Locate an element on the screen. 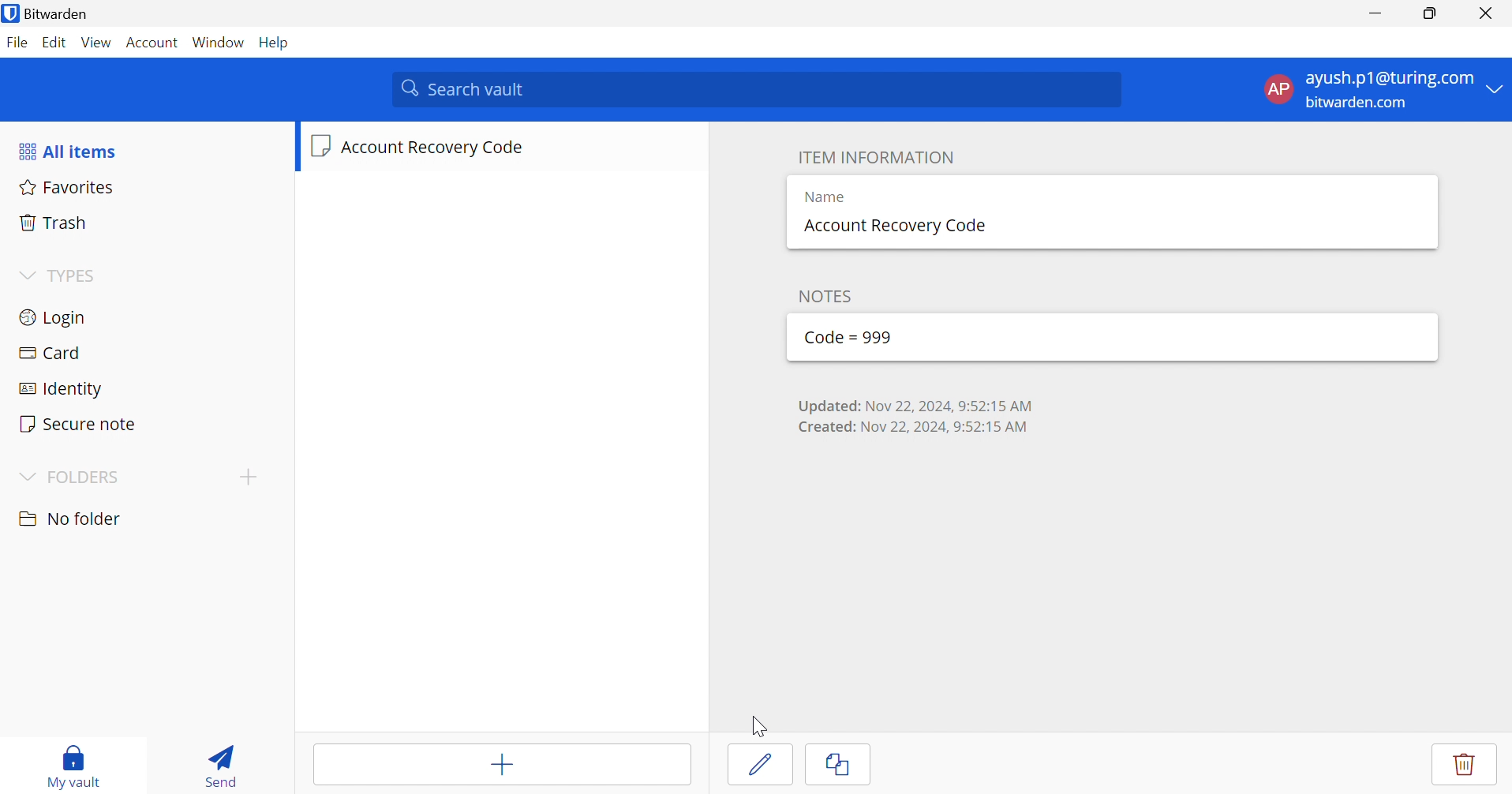 This screenshot has height=794, width=1512. Drop Down is located at coordinates (1496, 90).